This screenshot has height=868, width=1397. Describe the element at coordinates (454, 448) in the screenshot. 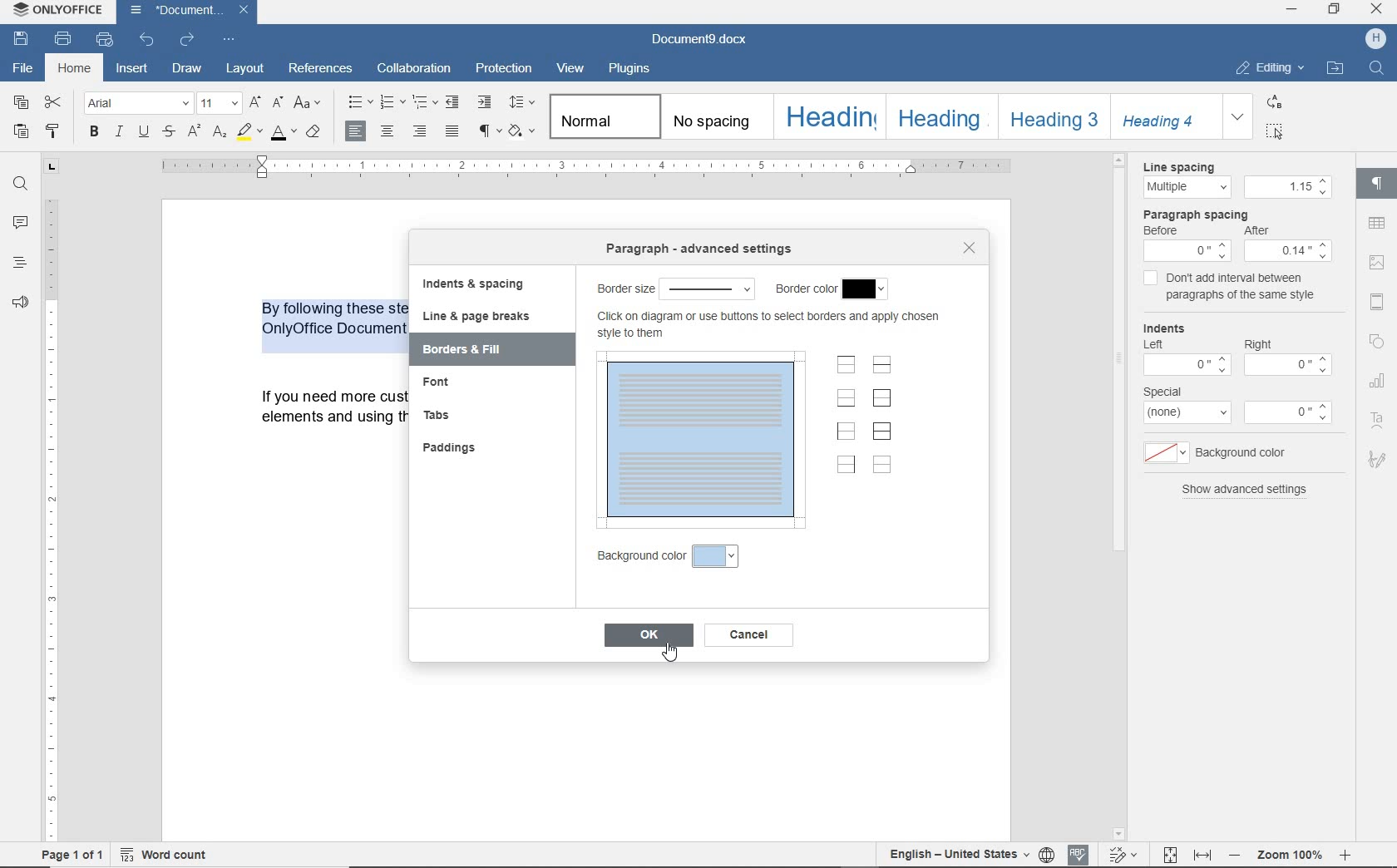

I see `paddings` at that location.